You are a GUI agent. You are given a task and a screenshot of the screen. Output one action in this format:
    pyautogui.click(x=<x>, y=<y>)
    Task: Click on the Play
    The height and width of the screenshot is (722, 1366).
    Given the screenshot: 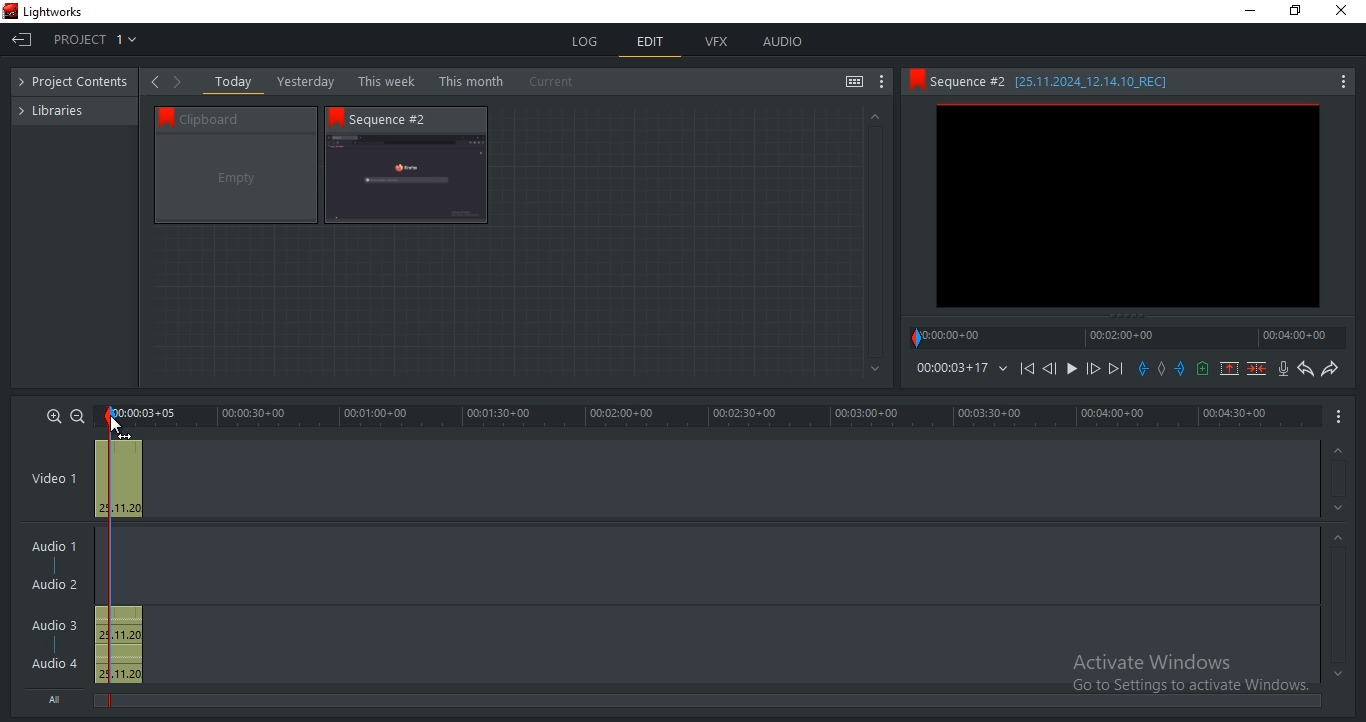 What is the action you would take?
    pyautogui.click(x=1072, y=369)
    